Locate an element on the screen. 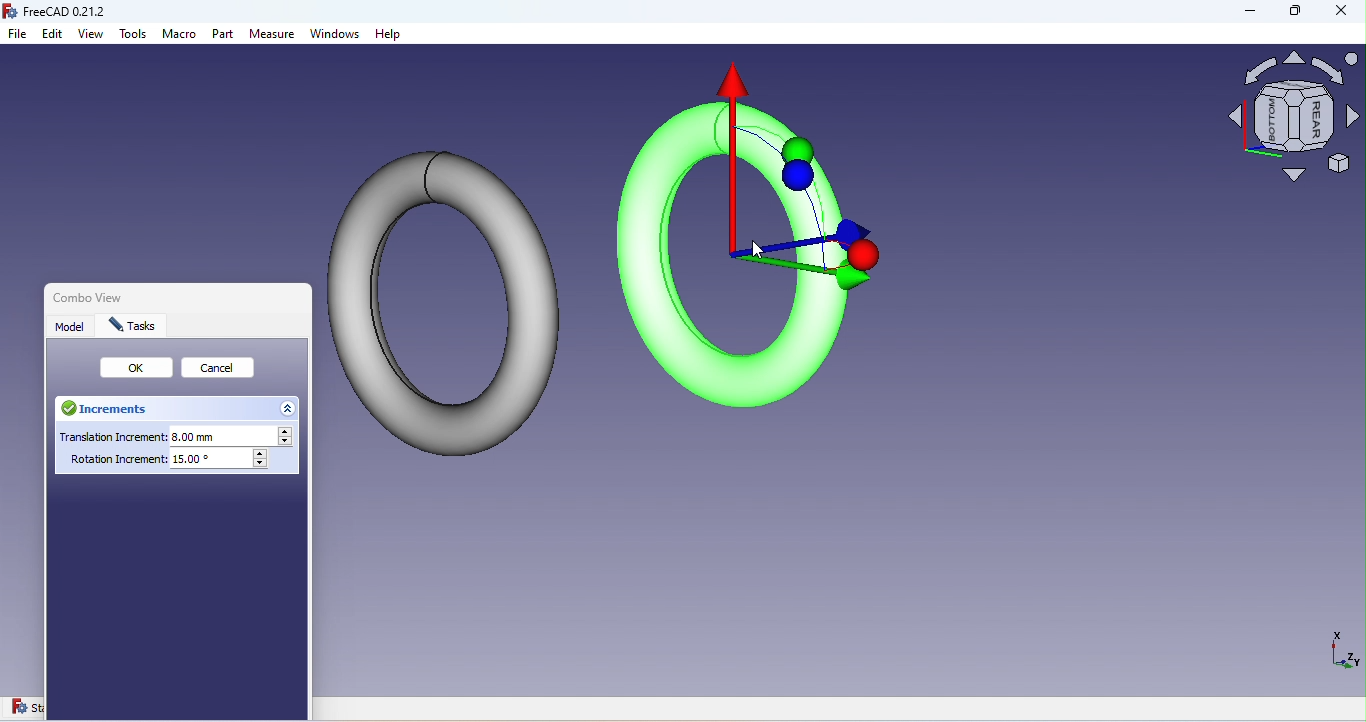  Dimensions is located at coordinates (1341, 656).